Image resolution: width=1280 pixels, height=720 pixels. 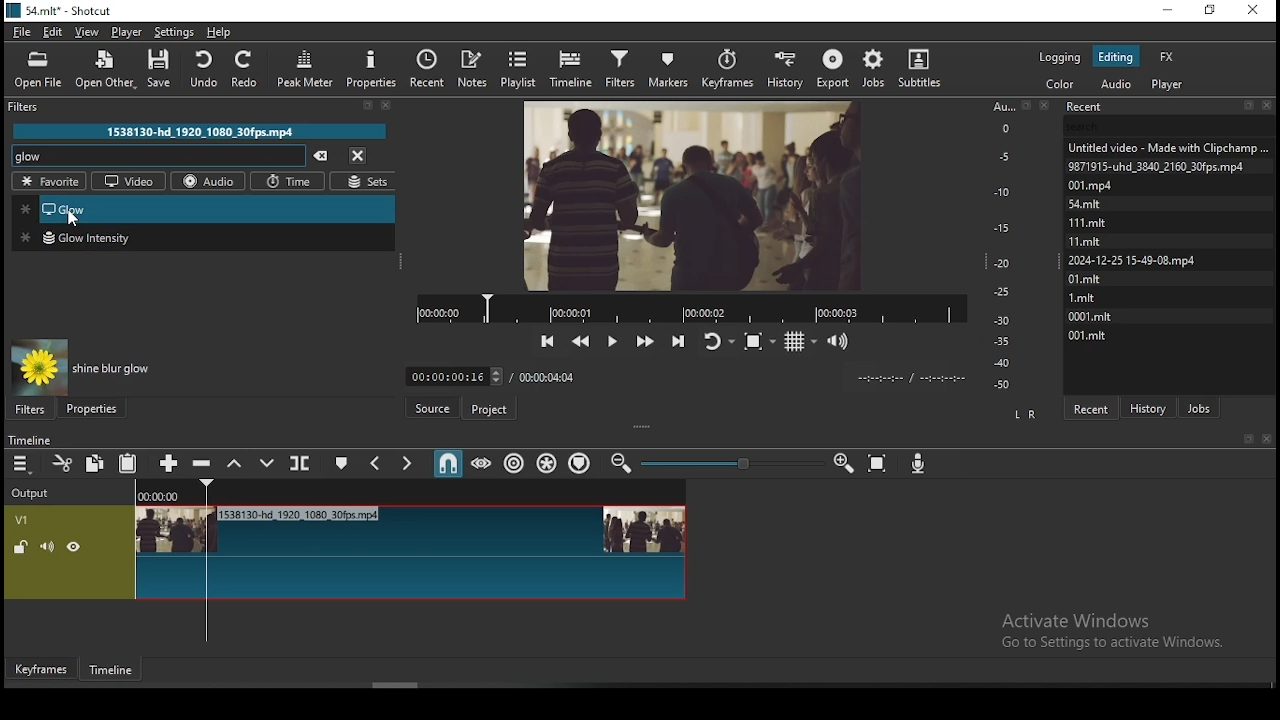 I want to click on 001.mlt, so click(x=1087, y=335).